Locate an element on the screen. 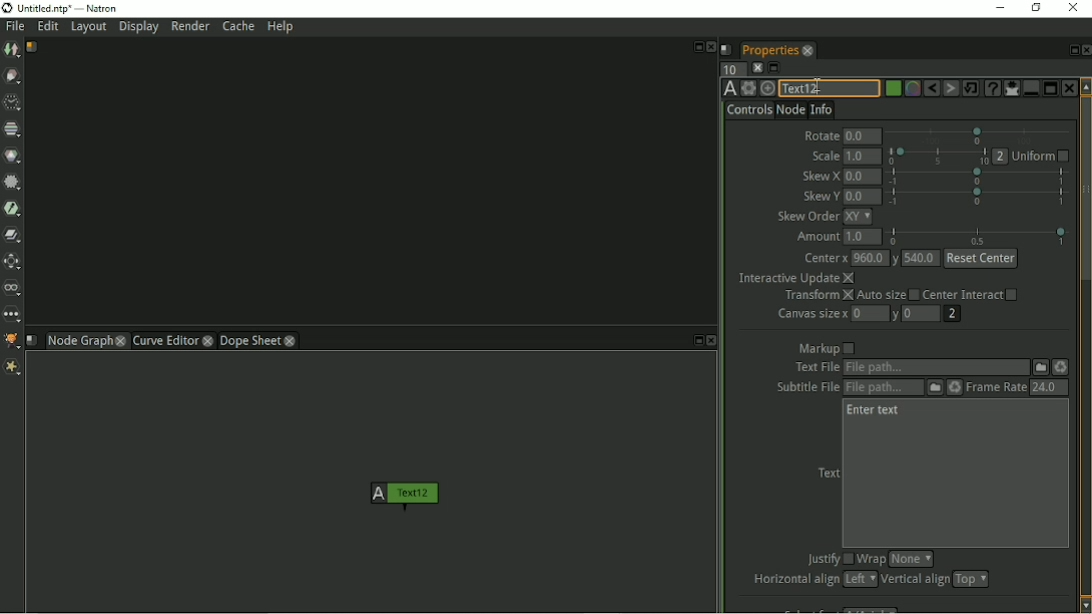 Image resolution: width=1092 pixels, height=614 pixels. Keyer is located at coordinates (14, 209).